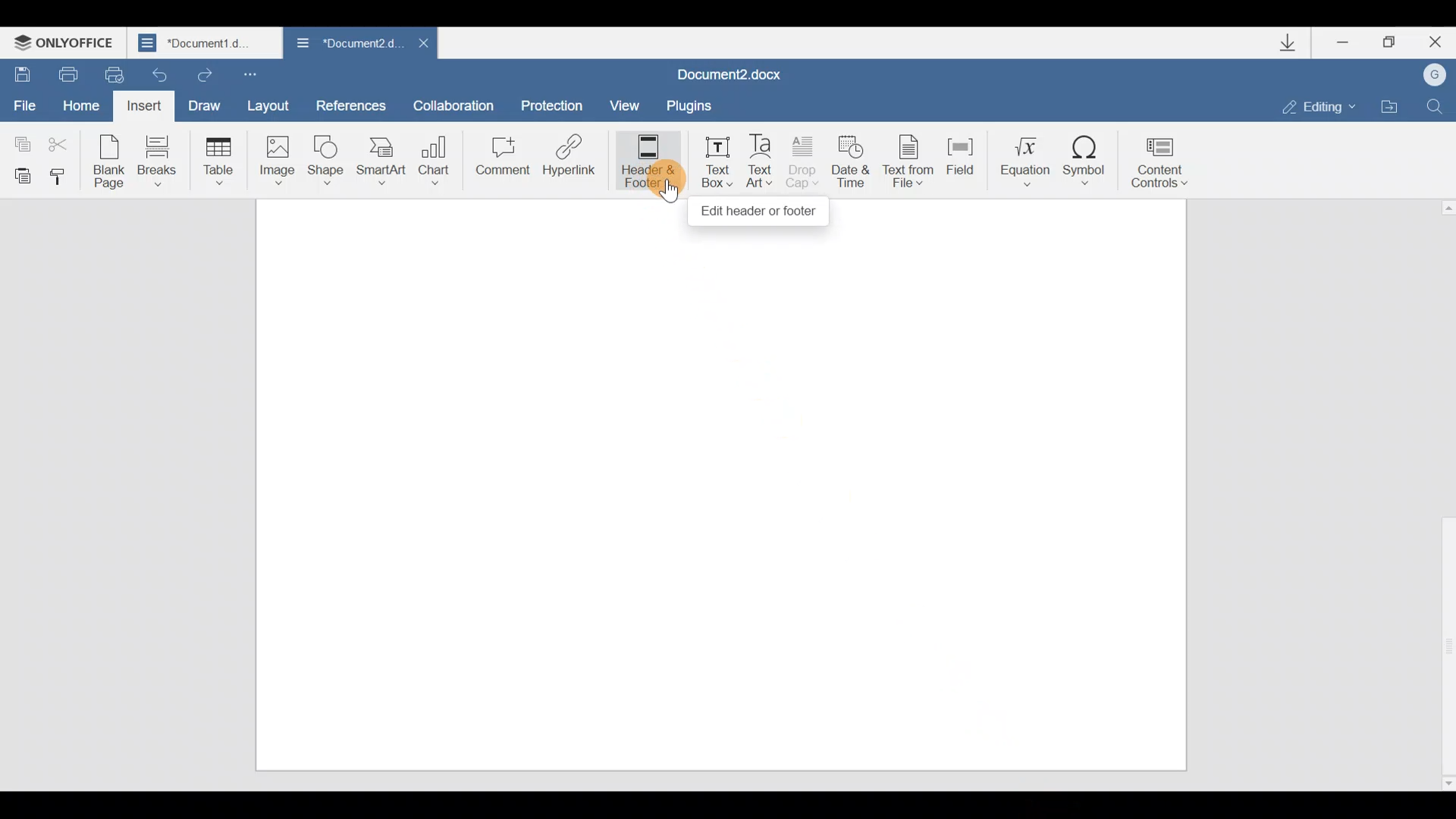  What do you see at coordinates (262, 74) in the screenshot?
I see `Customize quick access toolbar` at bounding box center [262, 74].